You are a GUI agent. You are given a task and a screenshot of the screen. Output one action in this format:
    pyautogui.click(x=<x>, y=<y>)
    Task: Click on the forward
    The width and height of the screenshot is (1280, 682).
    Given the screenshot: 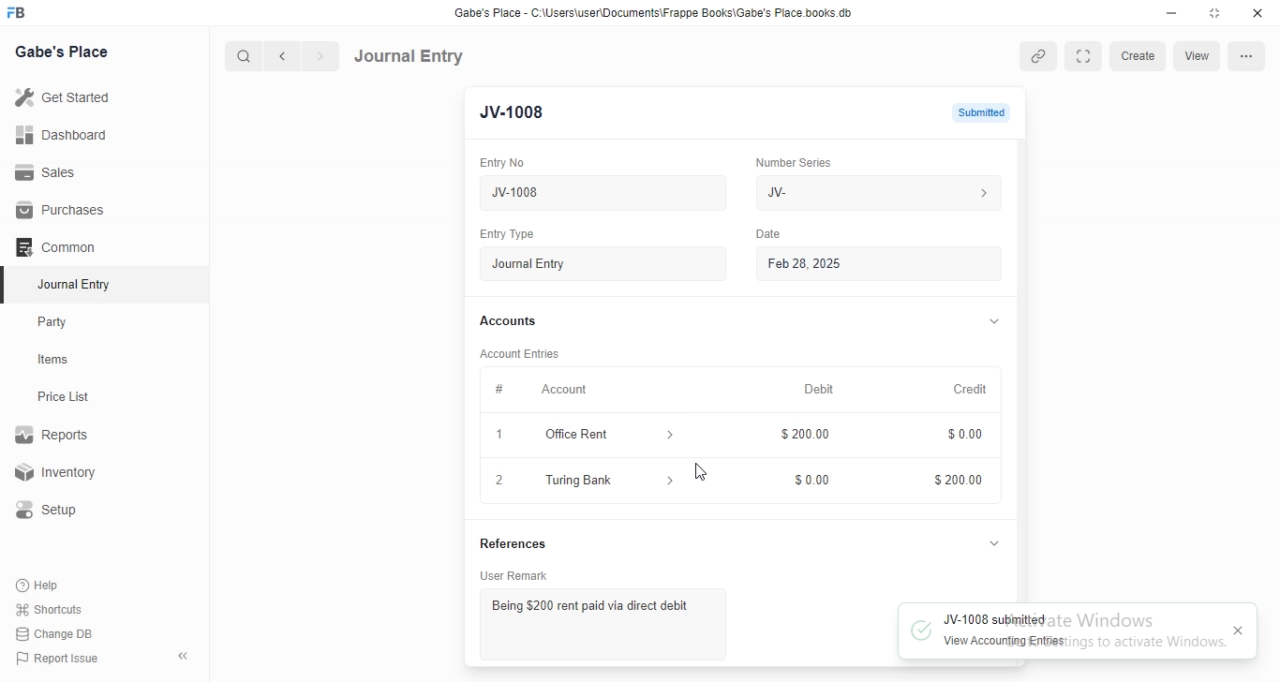 What is the action you would take?
    pyautogui.click(x=322, y=56)
    